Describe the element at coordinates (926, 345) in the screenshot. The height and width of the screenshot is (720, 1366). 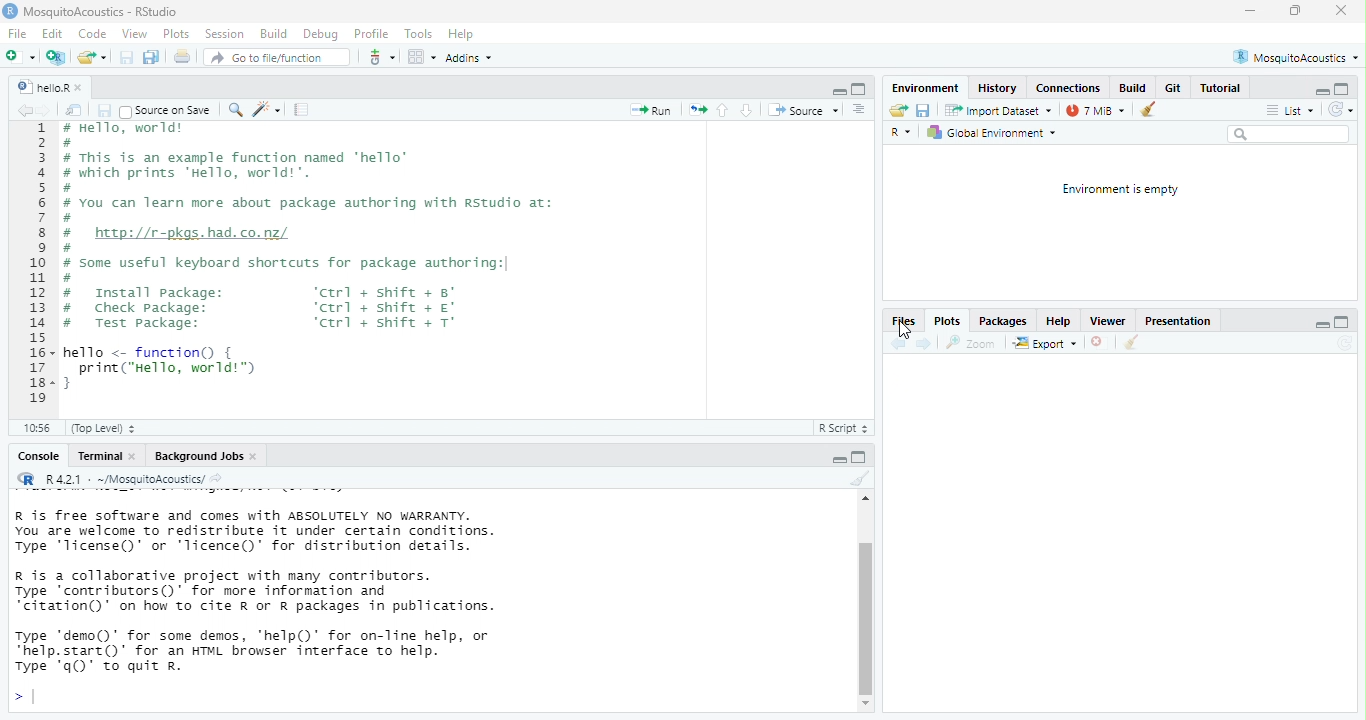
I see `go forward` at that location.